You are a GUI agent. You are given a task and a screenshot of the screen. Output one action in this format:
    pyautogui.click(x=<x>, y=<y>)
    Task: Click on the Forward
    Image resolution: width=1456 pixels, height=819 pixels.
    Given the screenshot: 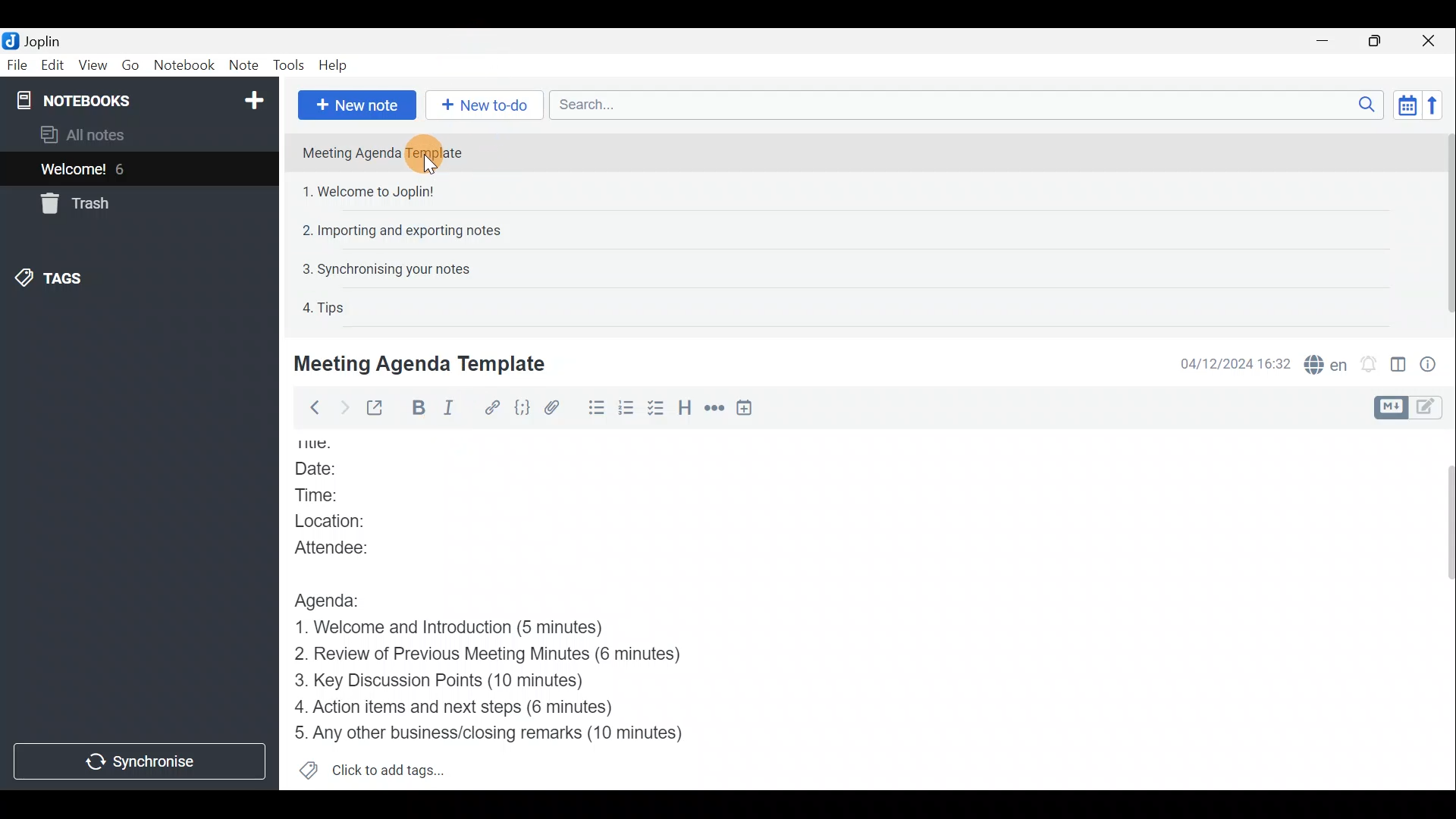 What is the action you would take?
    pyautogui.click(x=342, y=407)
    